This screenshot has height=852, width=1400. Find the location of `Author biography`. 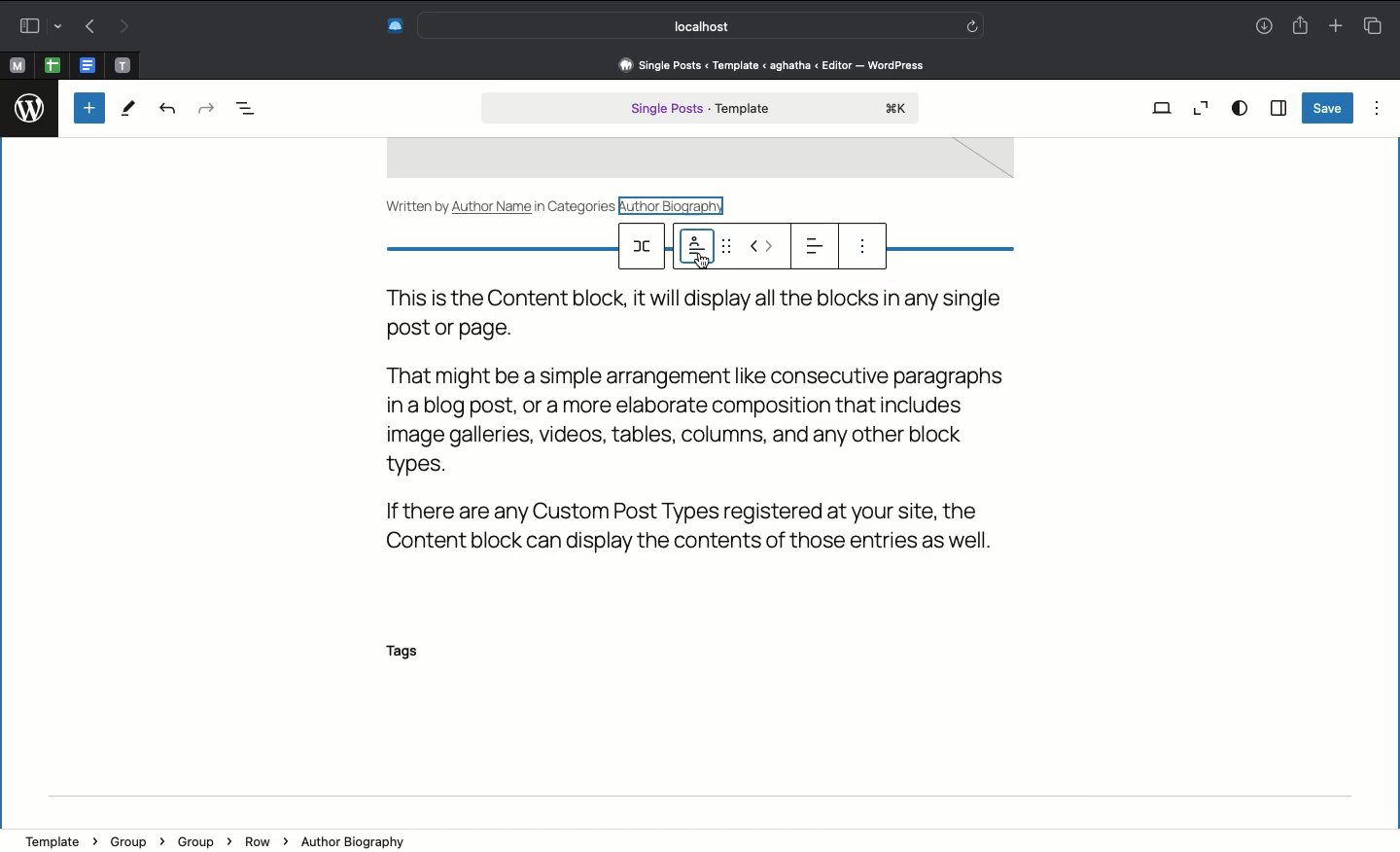

Author biography is located at coordinates (678, 204).